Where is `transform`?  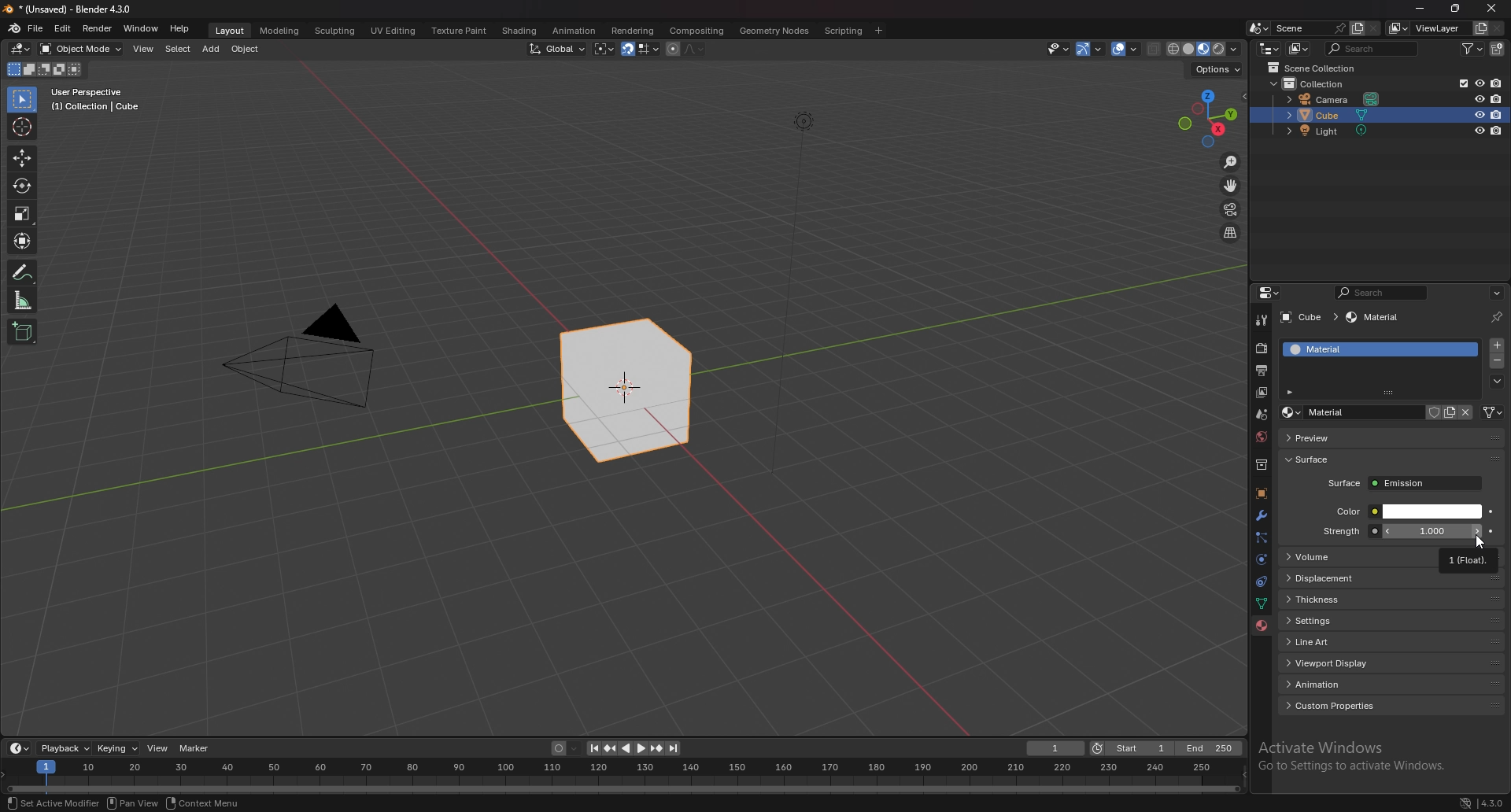 transform is located at coordinates (24, 241).